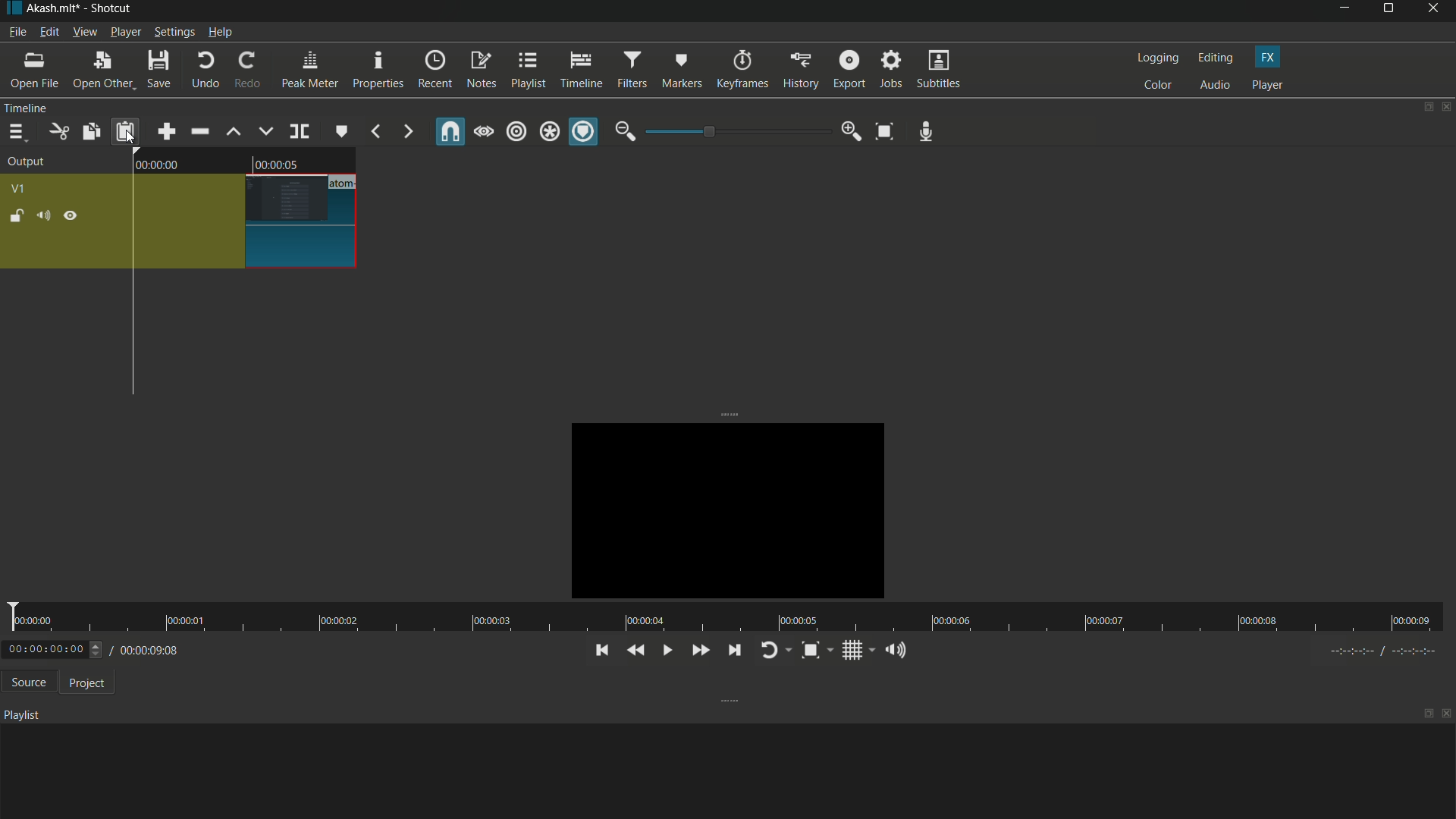  I want to click on settings menu, so click(174, 32).